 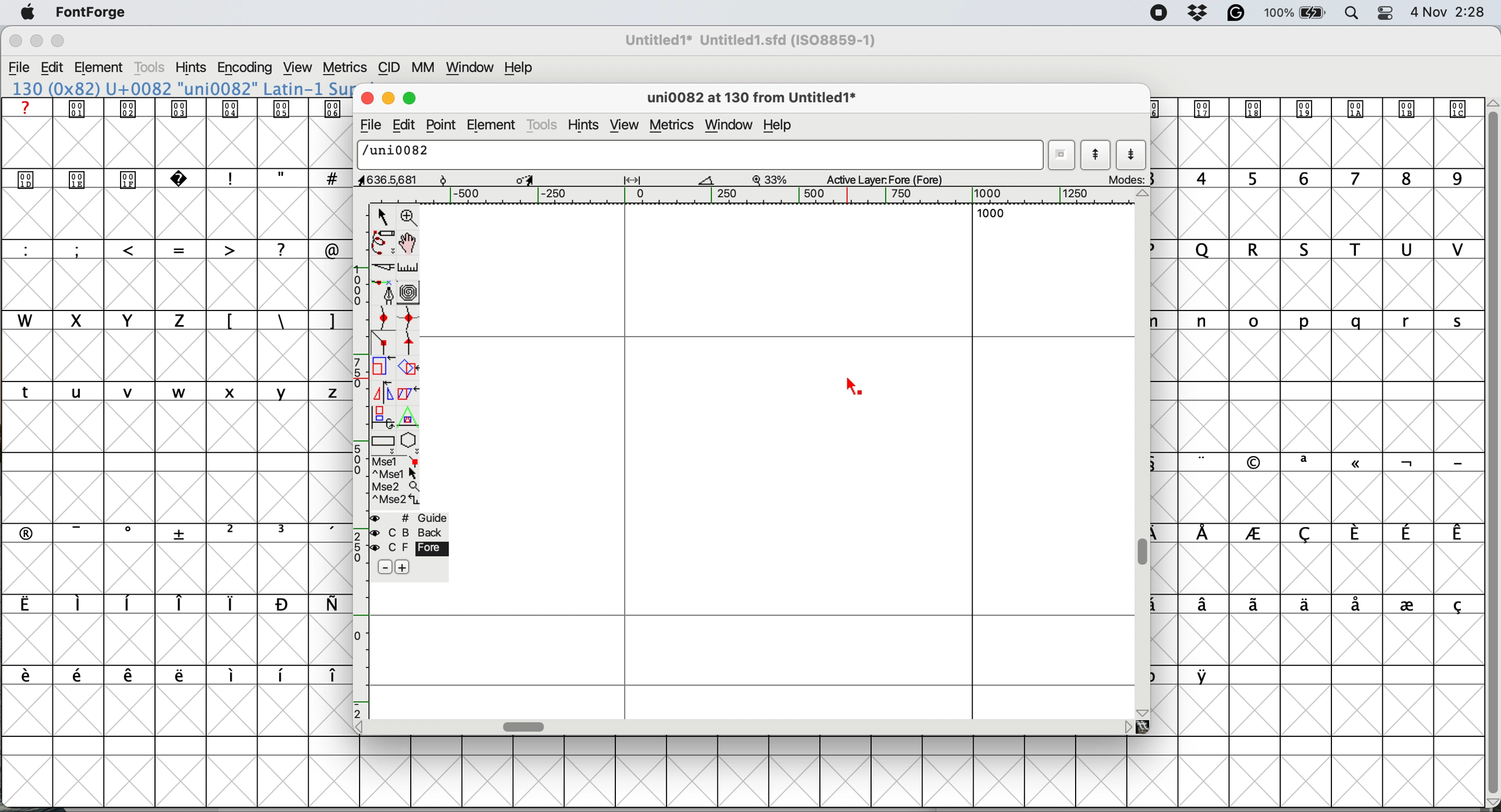 What do you see at coordinates (181, 676) in the screenshot?
I see `symbols` at bounding box center [181, 676].